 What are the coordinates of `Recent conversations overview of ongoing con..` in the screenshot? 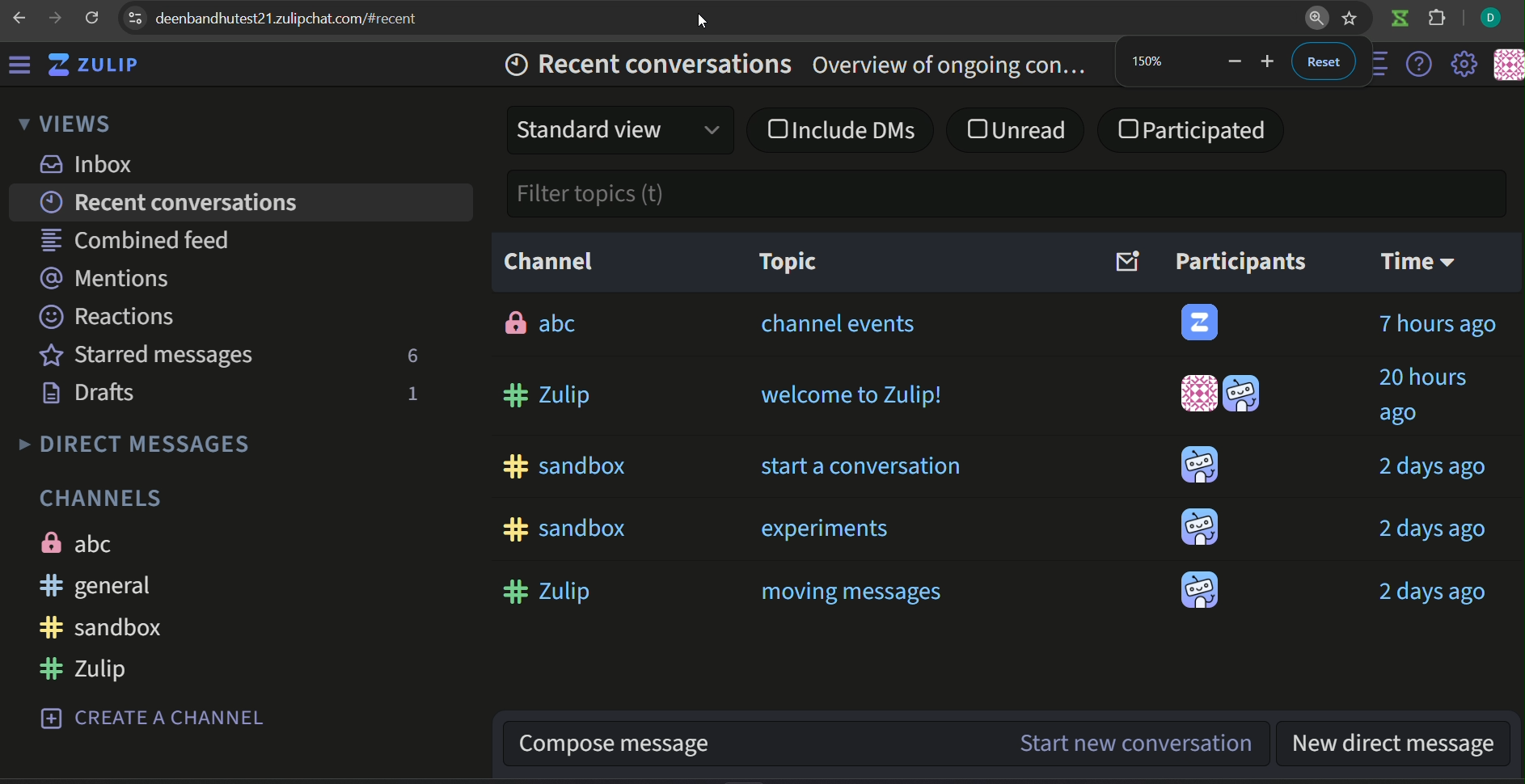 It's located at (803, 65).